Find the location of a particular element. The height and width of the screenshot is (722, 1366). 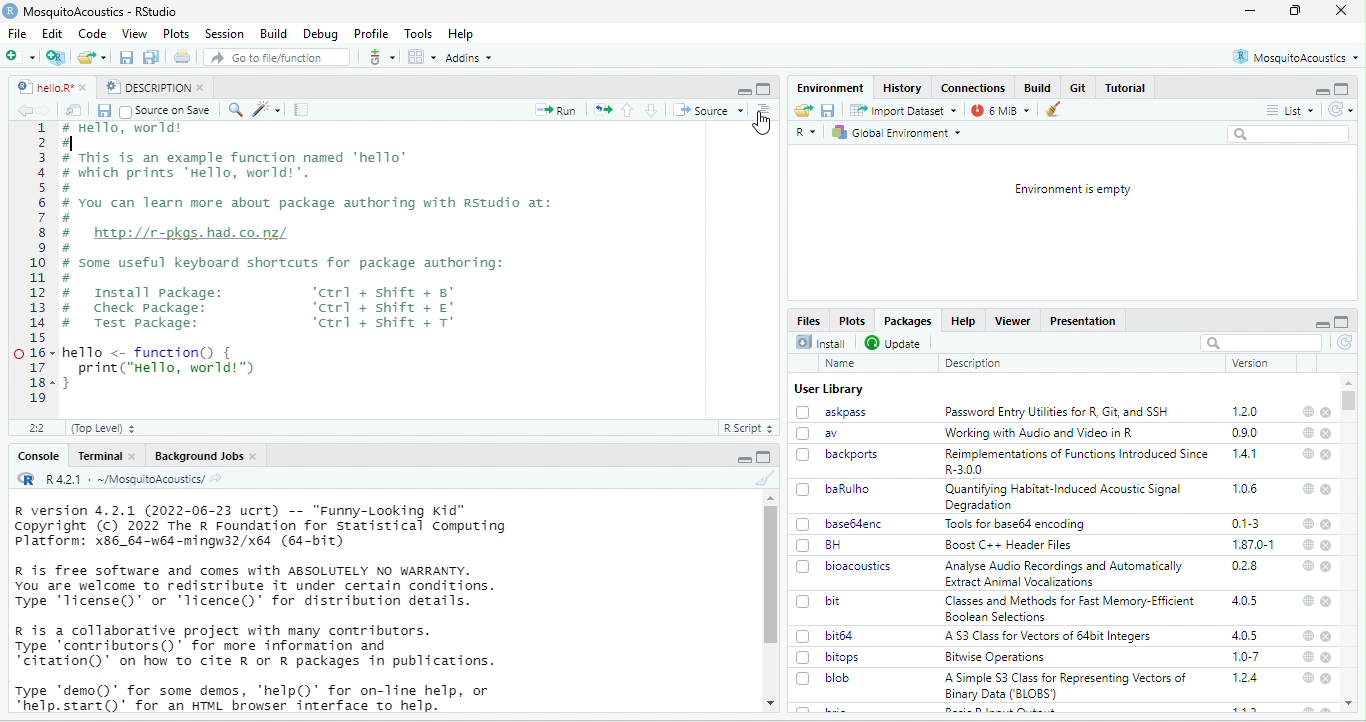

Plots is located at coordinates (176, 33).